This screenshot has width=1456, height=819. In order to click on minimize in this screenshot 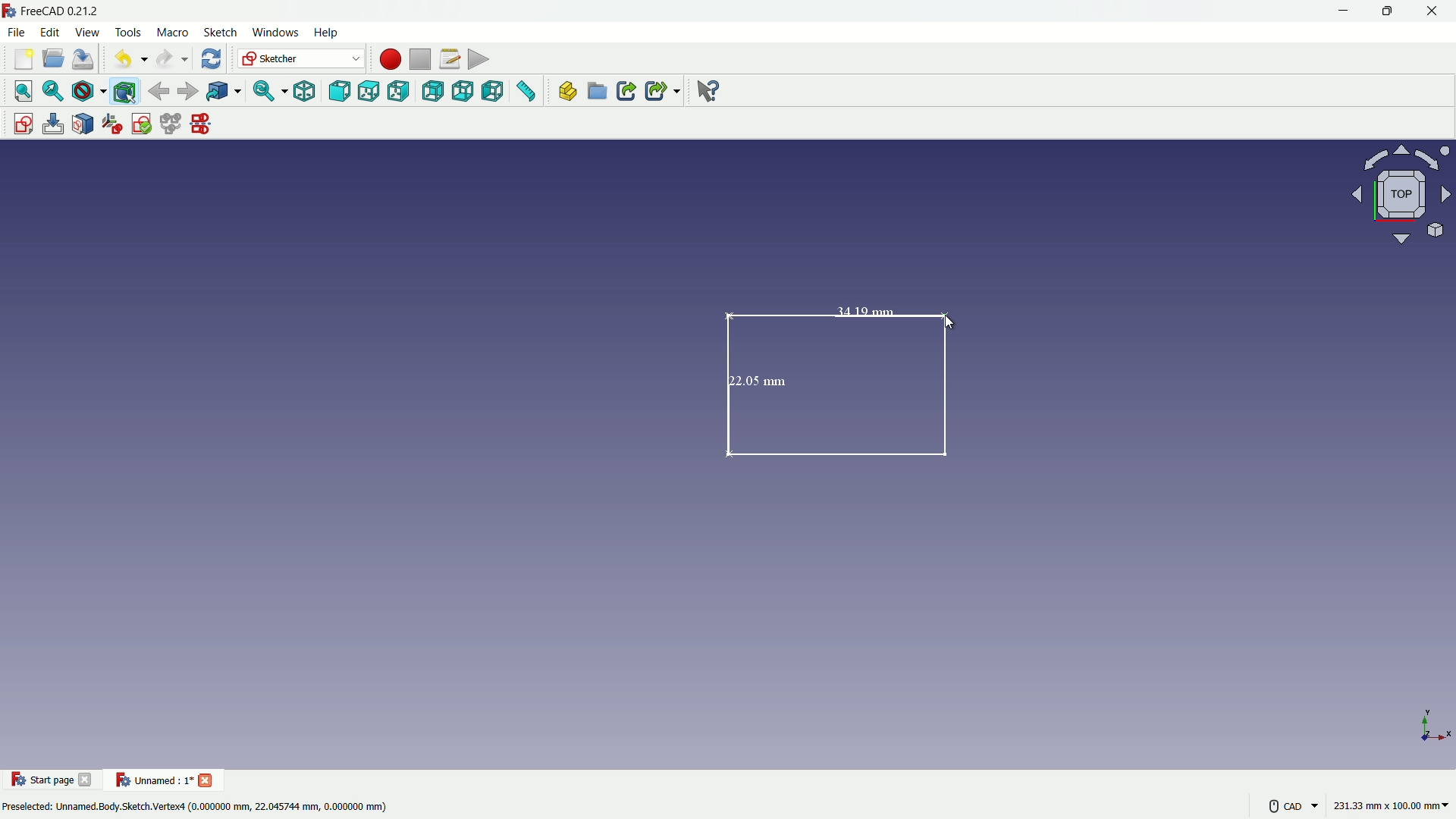, I will do `click(1341, 11)`.